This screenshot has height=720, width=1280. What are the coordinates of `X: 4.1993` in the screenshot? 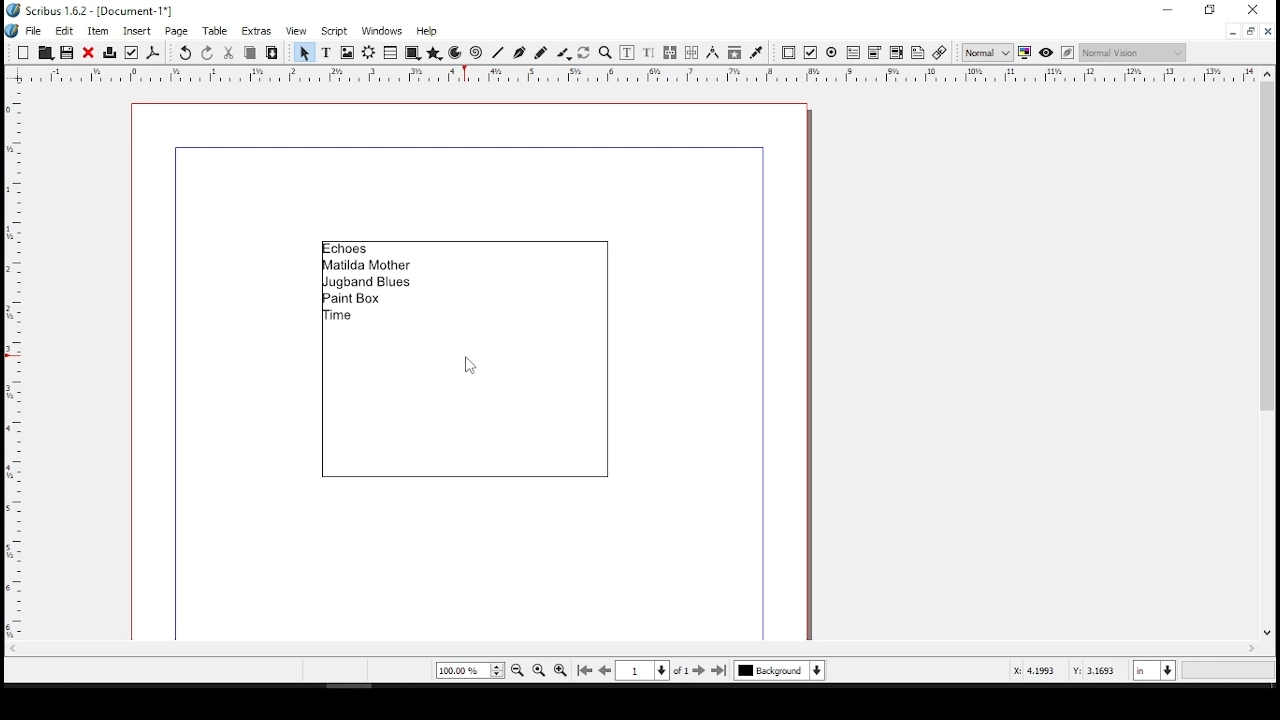 It's located at (1029, 670).